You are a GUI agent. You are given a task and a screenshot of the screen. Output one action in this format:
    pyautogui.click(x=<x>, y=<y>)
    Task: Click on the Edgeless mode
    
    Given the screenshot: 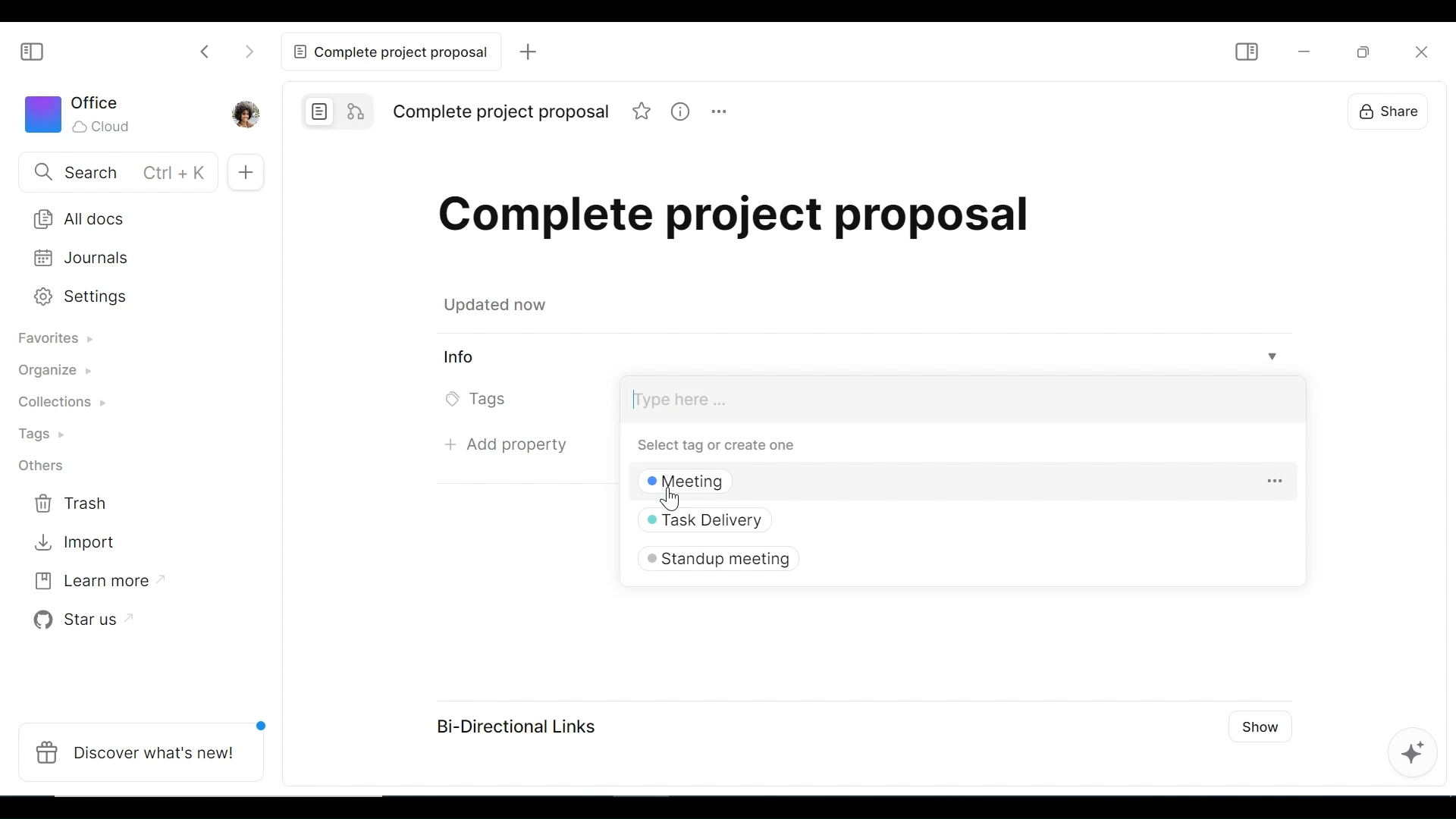 What is the action you would take?
    pyautogui.click(x=358, y=111)
    